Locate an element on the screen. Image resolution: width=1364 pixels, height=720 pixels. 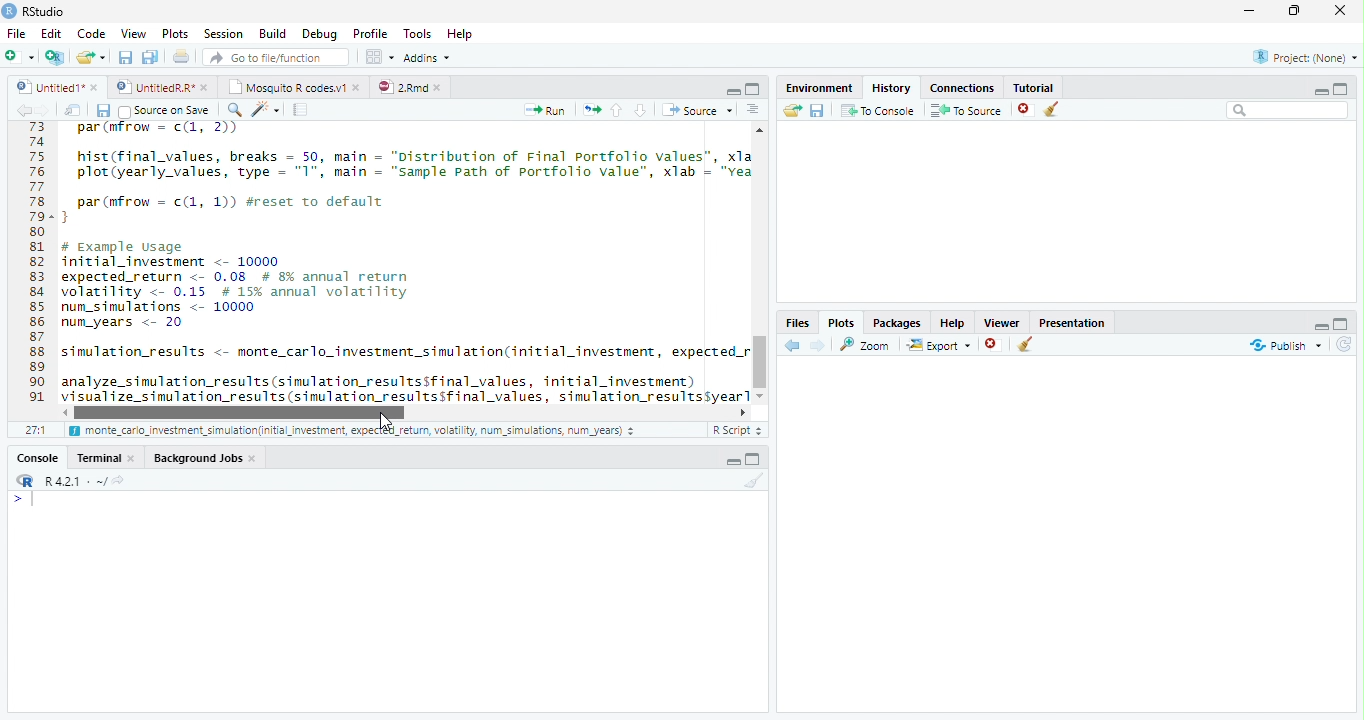
Maximize is located at coordinates (1299, 12).